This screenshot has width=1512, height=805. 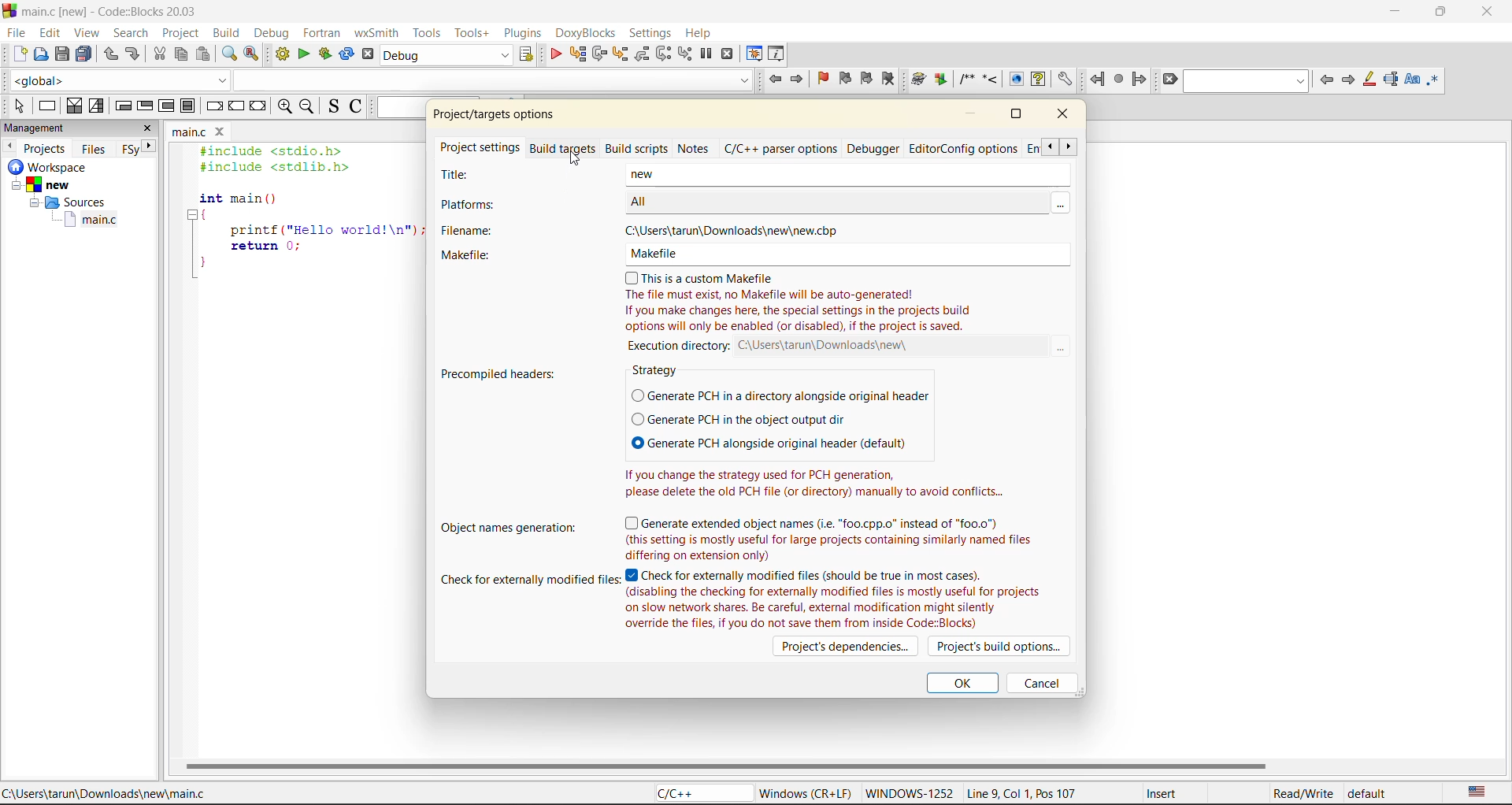 I want to click on notes, so click(x=695, y=147).